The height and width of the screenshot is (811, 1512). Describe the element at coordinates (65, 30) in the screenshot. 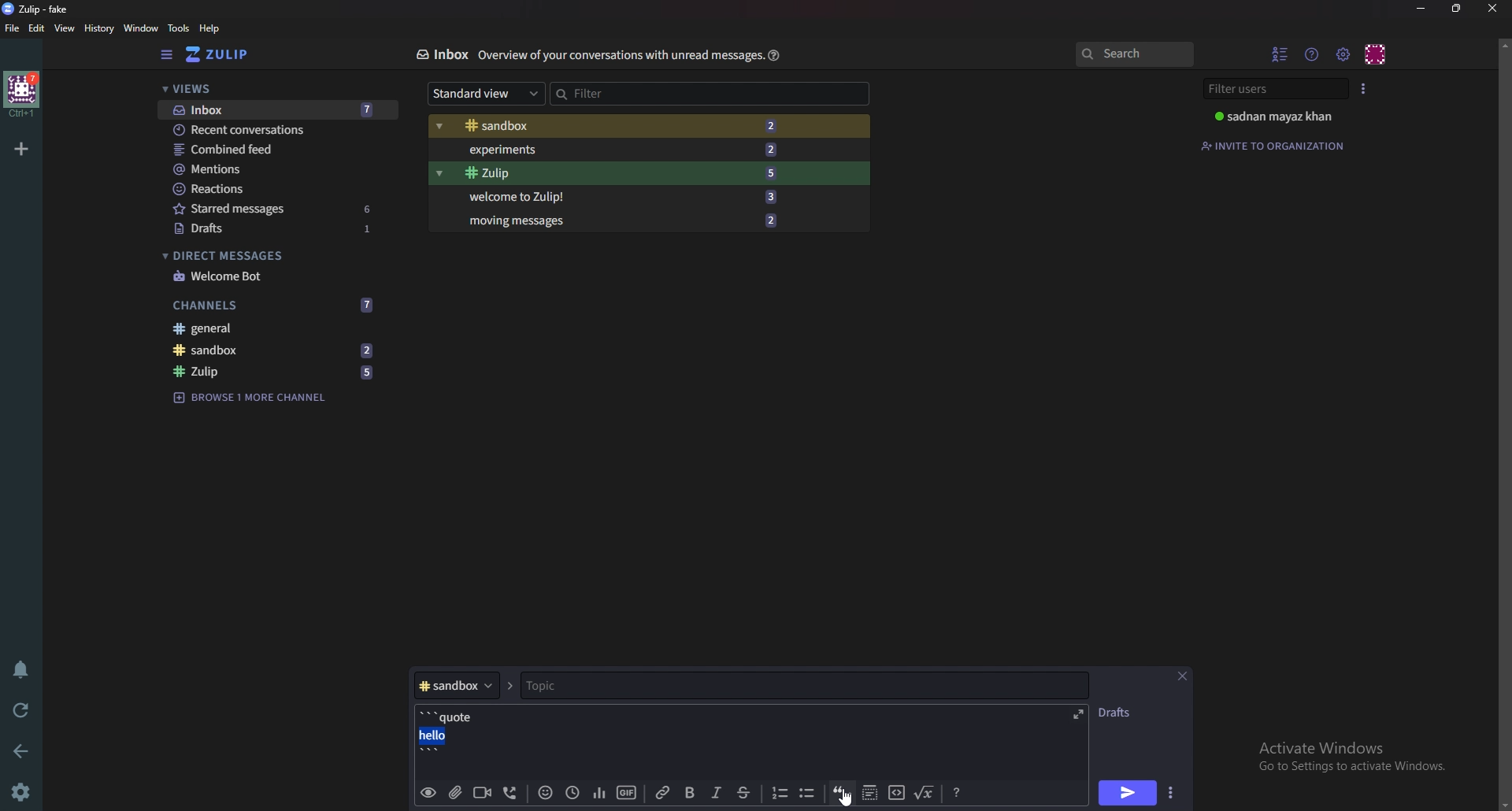

I see `View` at that location.